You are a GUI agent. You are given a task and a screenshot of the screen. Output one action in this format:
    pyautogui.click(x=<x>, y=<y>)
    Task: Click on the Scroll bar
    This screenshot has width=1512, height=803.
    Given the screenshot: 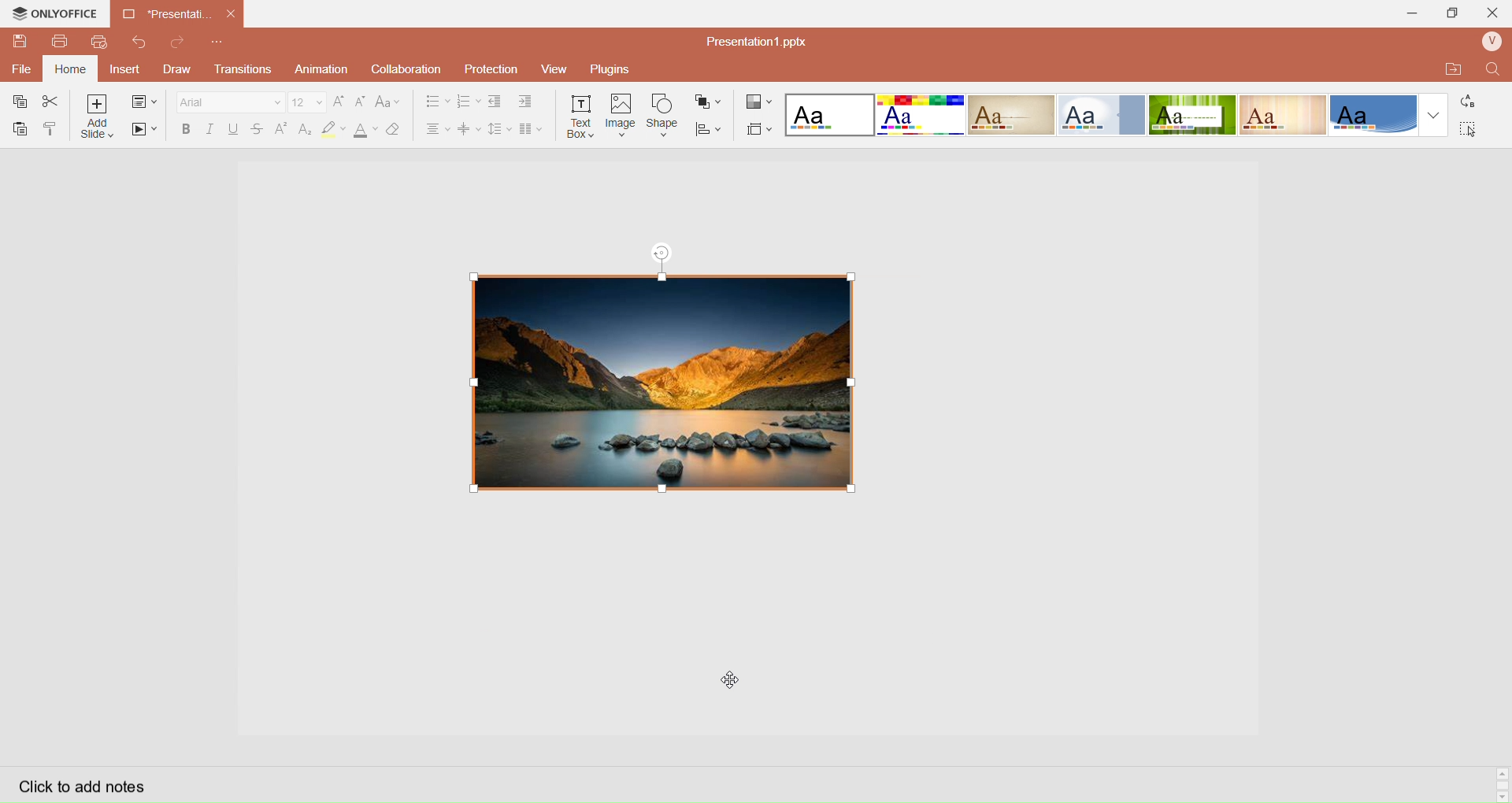 What is the action you would take?
    pyautogui.click(x=1502, y=785)
    